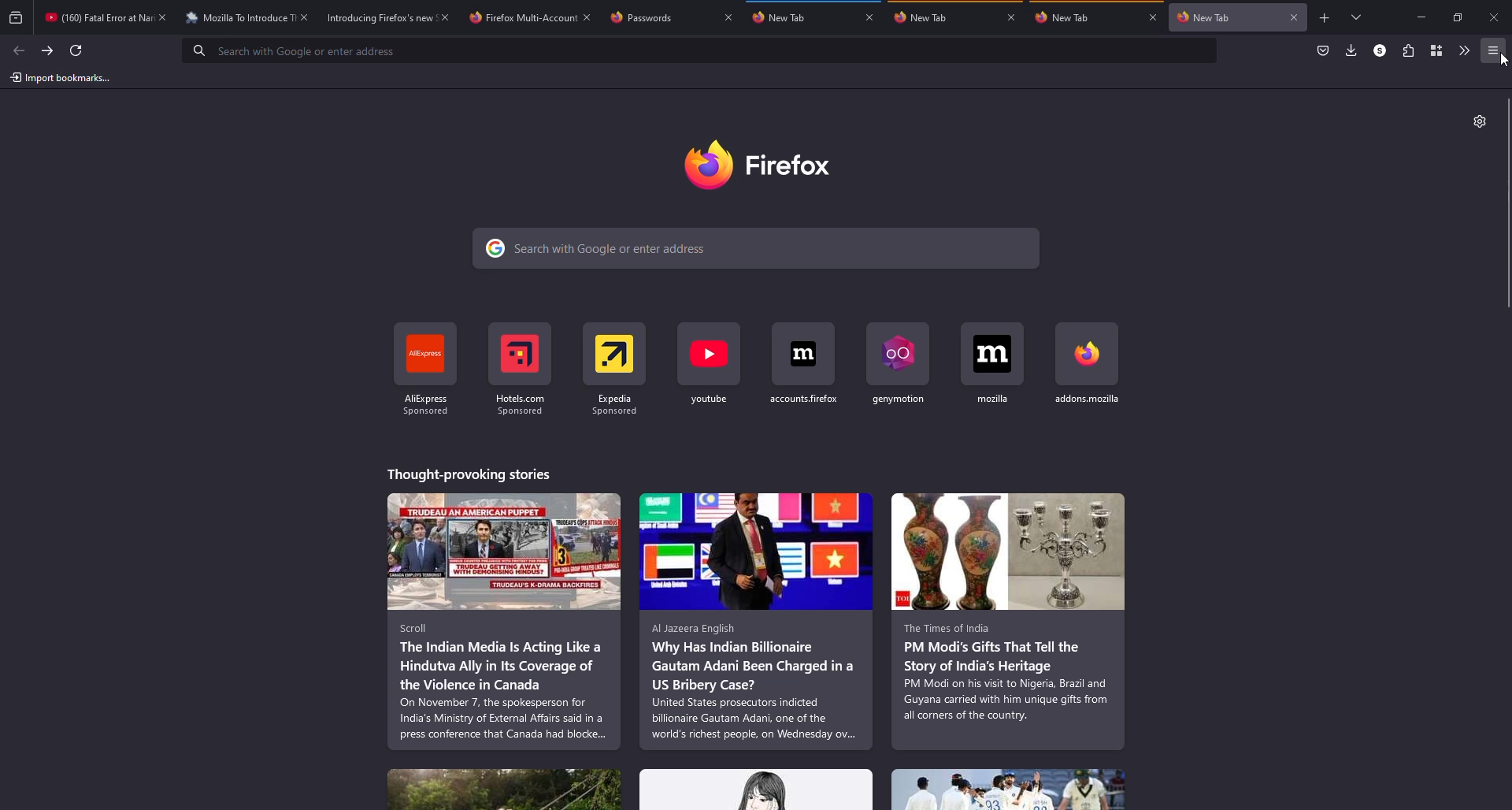 This screenshot has height=810, width=1512. What do you see at coordinates (1459, 17) in the screenshot?
I see `maximize` at bounding box center [1459, 17].